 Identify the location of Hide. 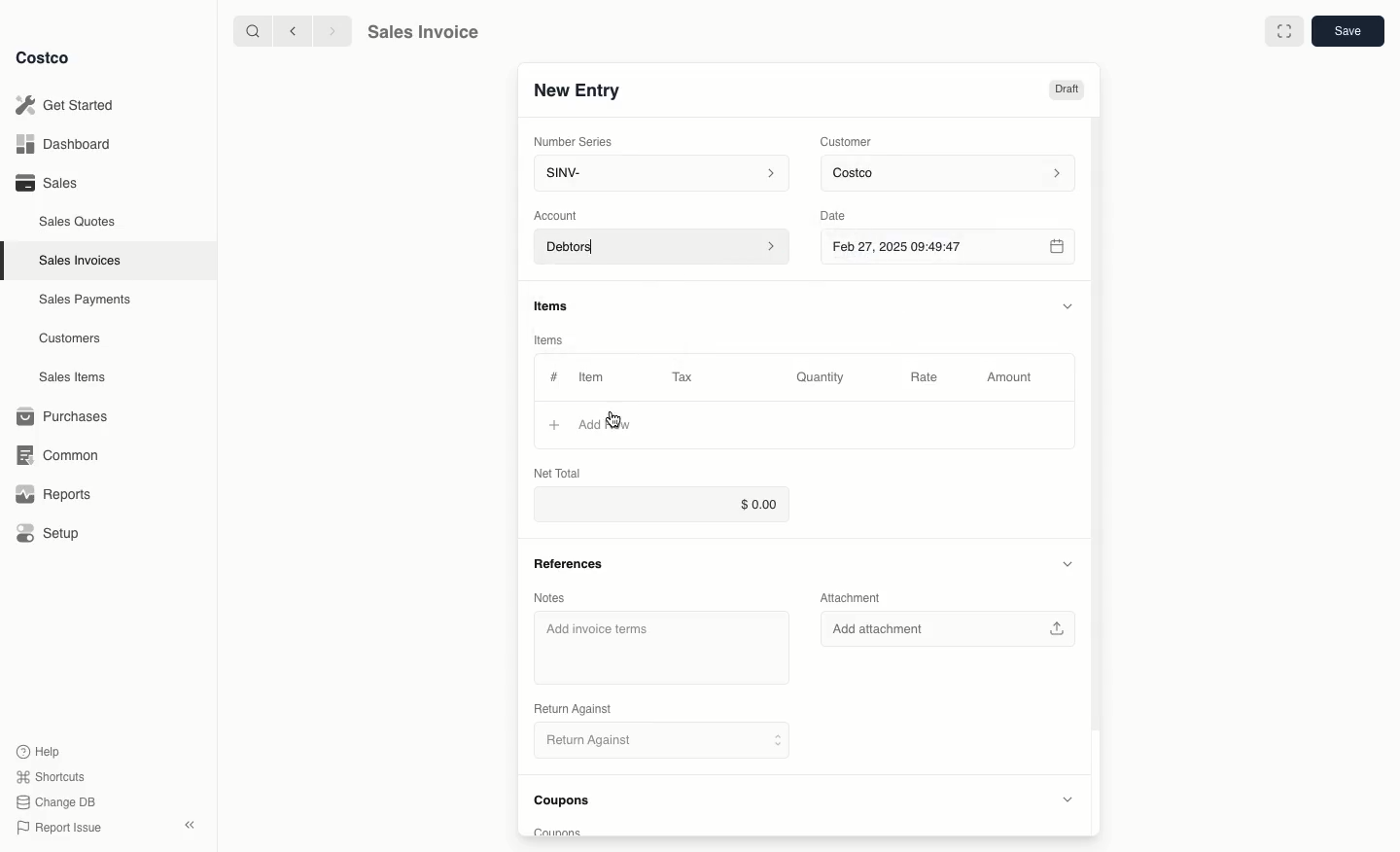
(1067, 303).